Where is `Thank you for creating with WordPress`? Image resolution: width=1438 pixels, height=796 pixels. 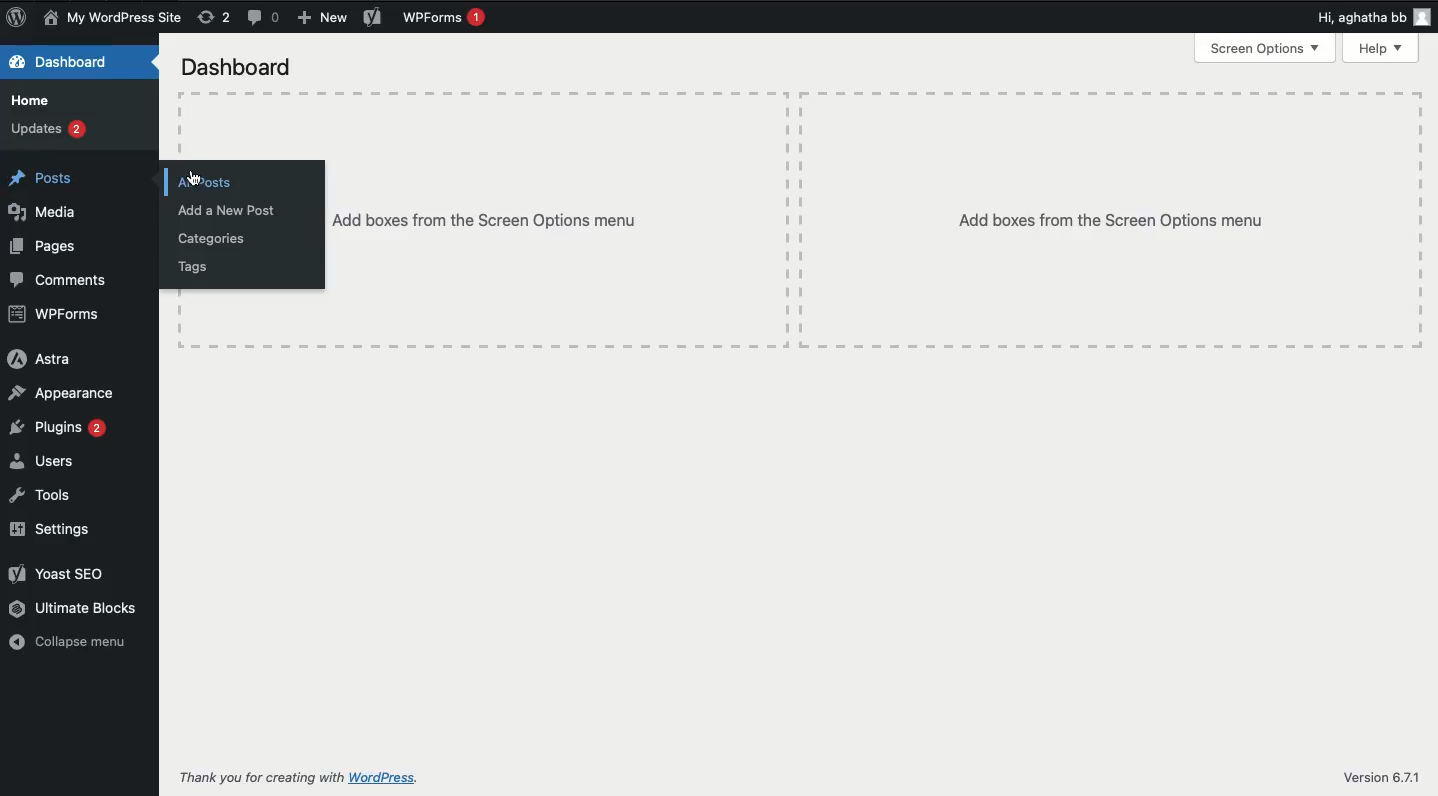
Thank you for creating with WordPress is located at coordinates (257, 777).